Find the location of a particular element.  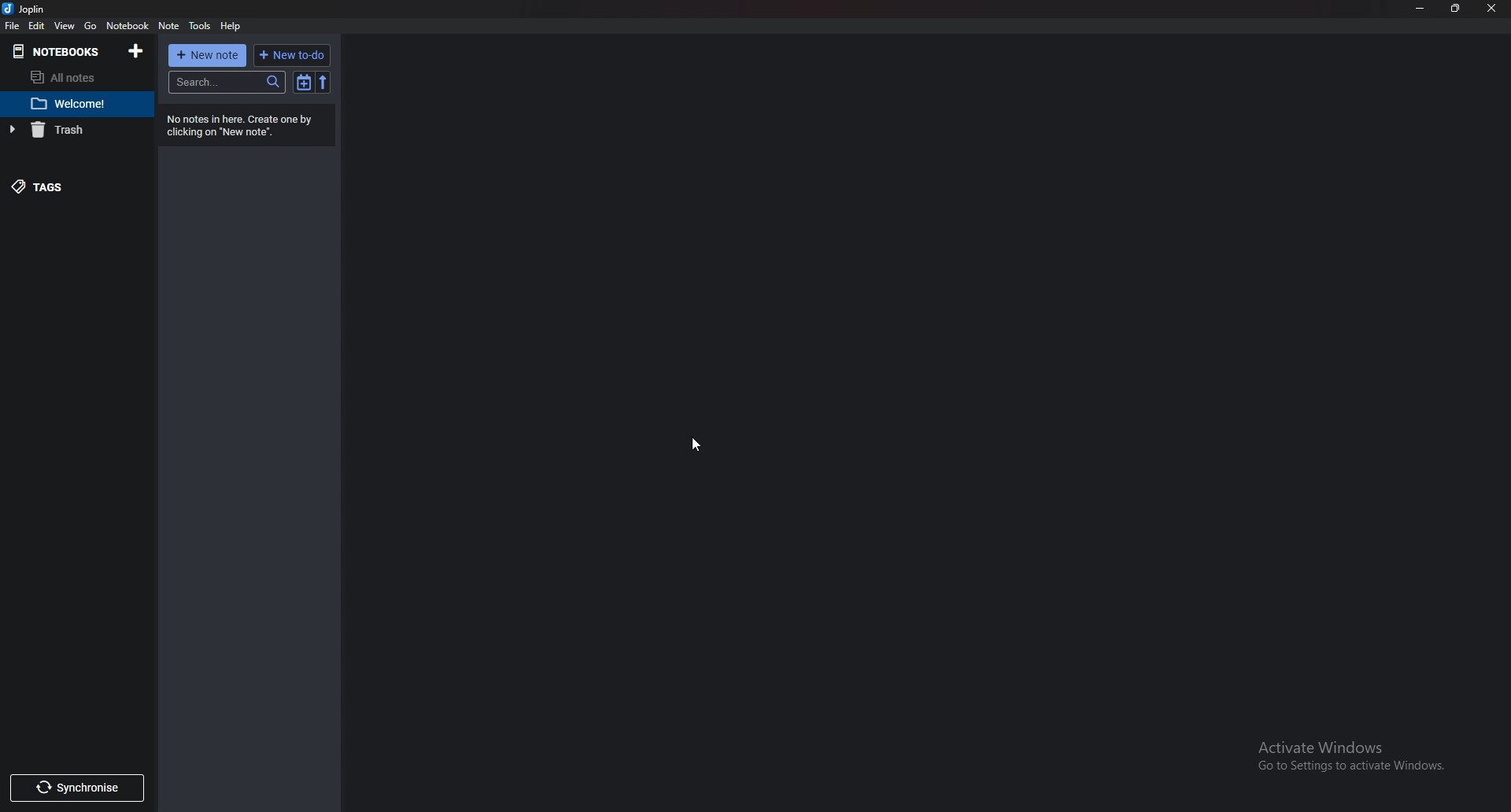

Add notebooks is located at coordinates (139, 50).